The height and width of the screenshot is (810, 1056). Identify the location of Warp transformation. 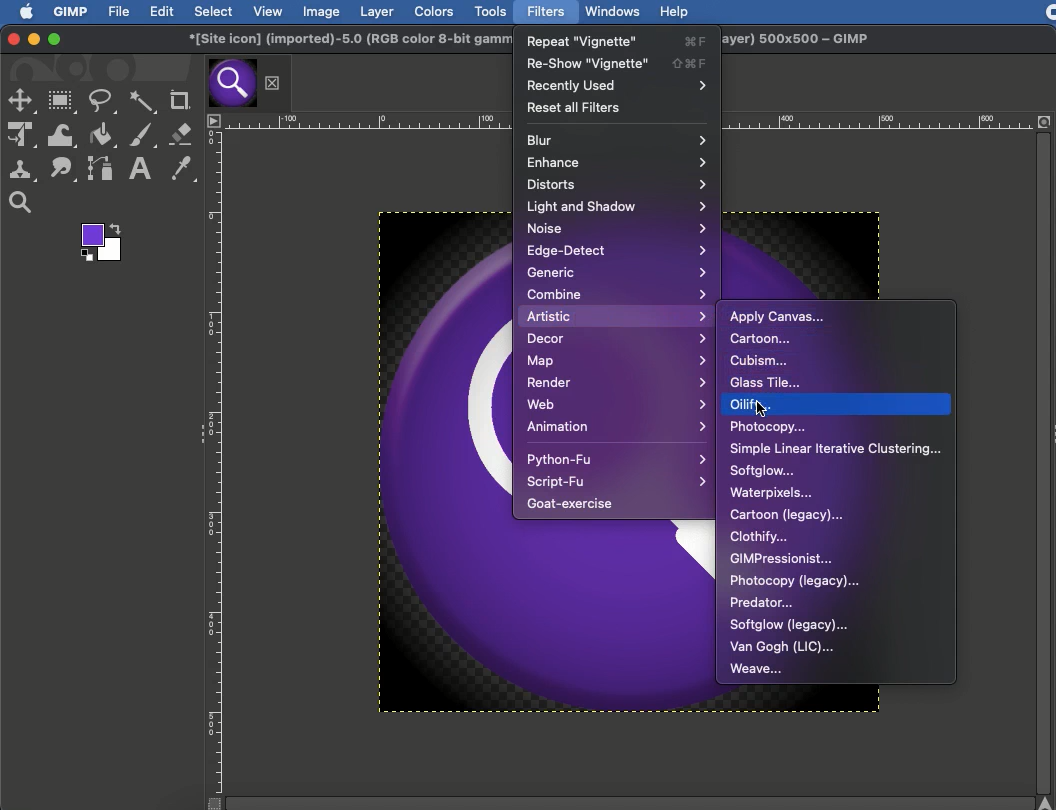
(62, 136).